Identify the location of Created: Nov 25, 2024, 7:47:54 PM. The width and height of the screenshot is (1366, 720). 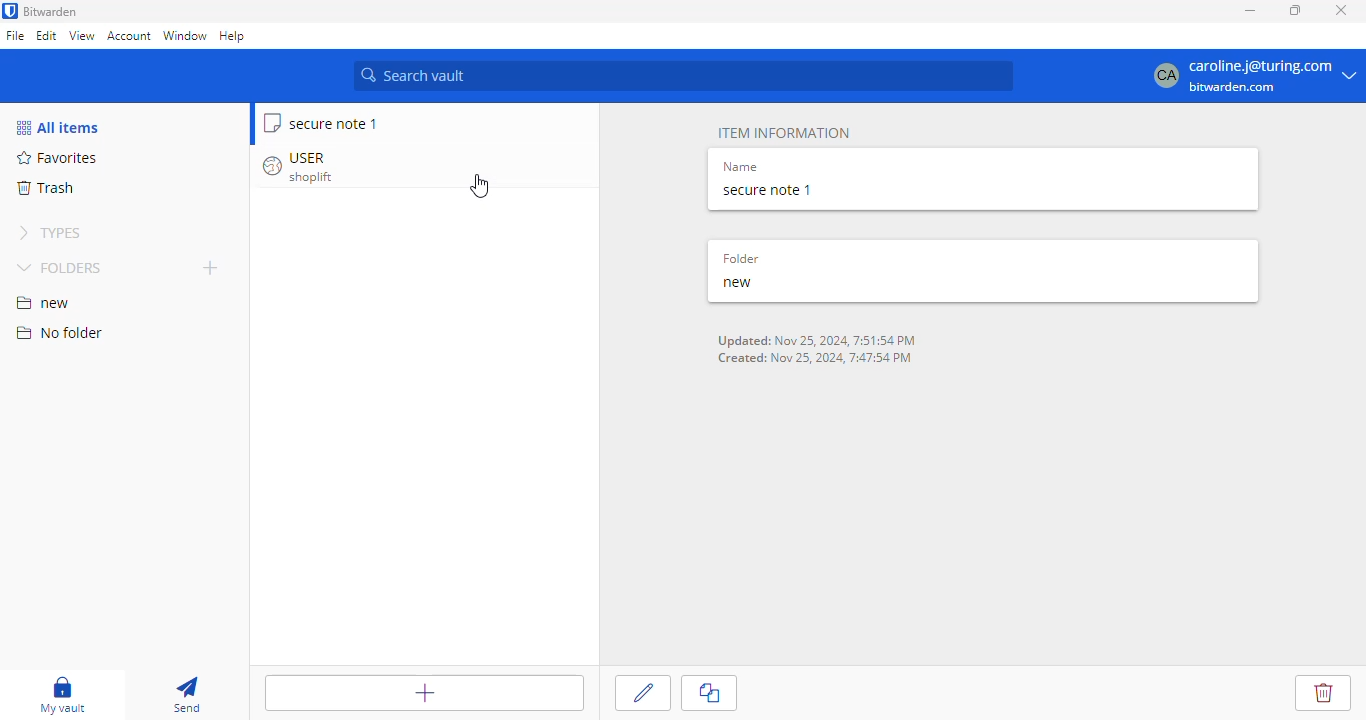
(817, 358).